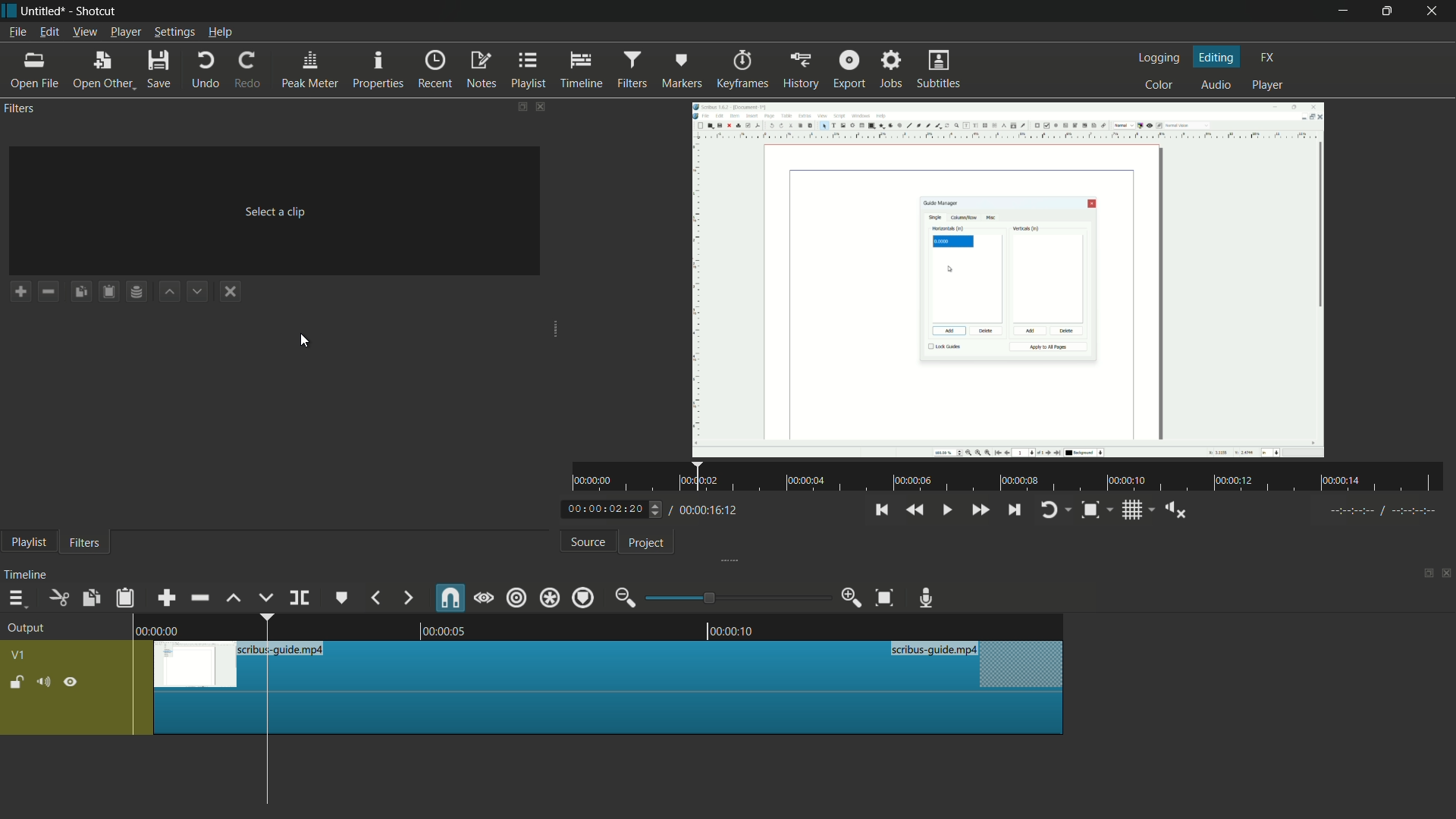 The width and height of the screenshot is (1456, 819). Describe the element at coordinates (199, 291) in the screenshot. I see `move filter down` at that location.